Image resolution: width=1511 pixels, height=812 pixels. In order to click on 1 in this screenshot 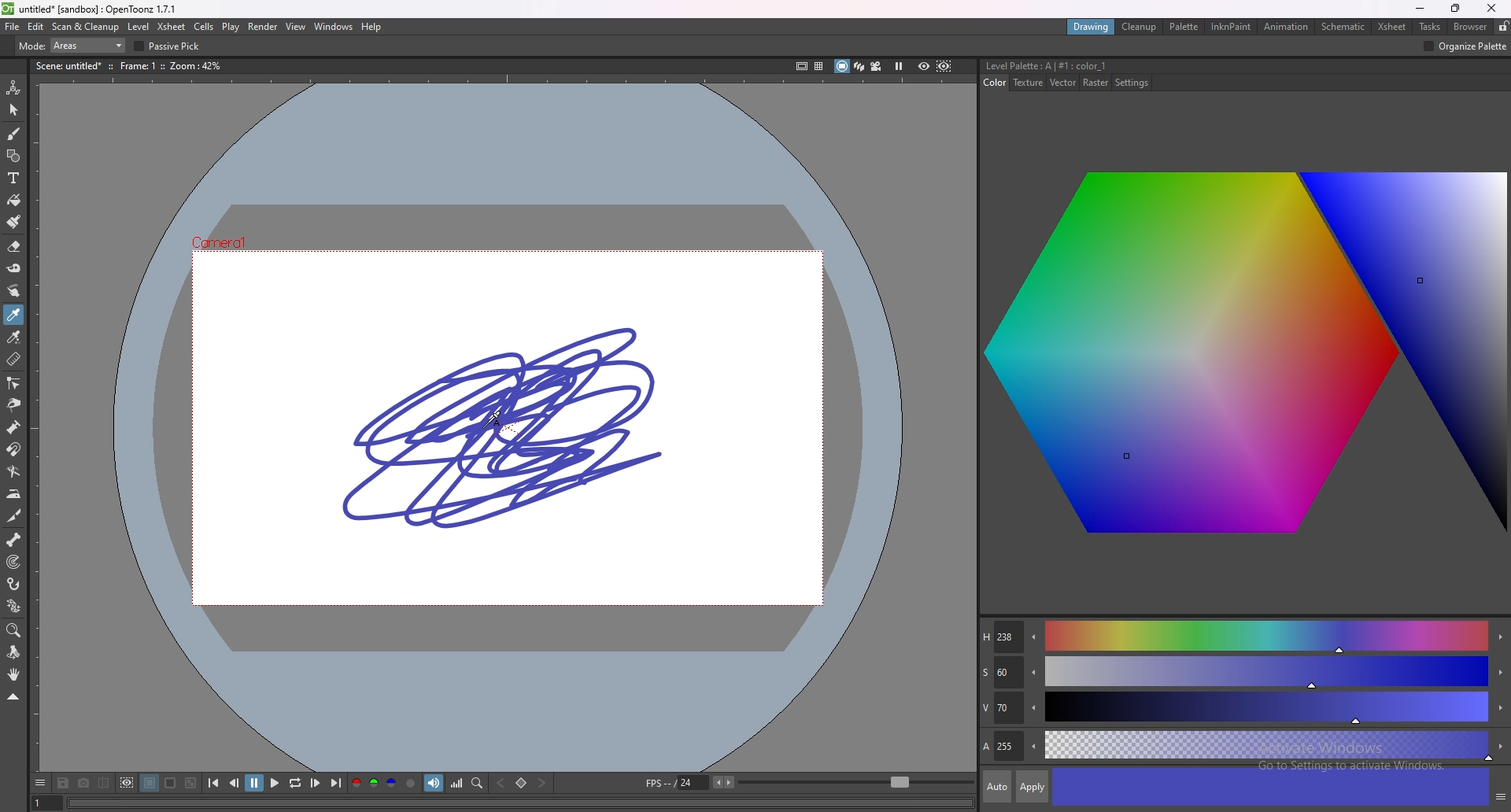, I will do `click(45, 802)`.